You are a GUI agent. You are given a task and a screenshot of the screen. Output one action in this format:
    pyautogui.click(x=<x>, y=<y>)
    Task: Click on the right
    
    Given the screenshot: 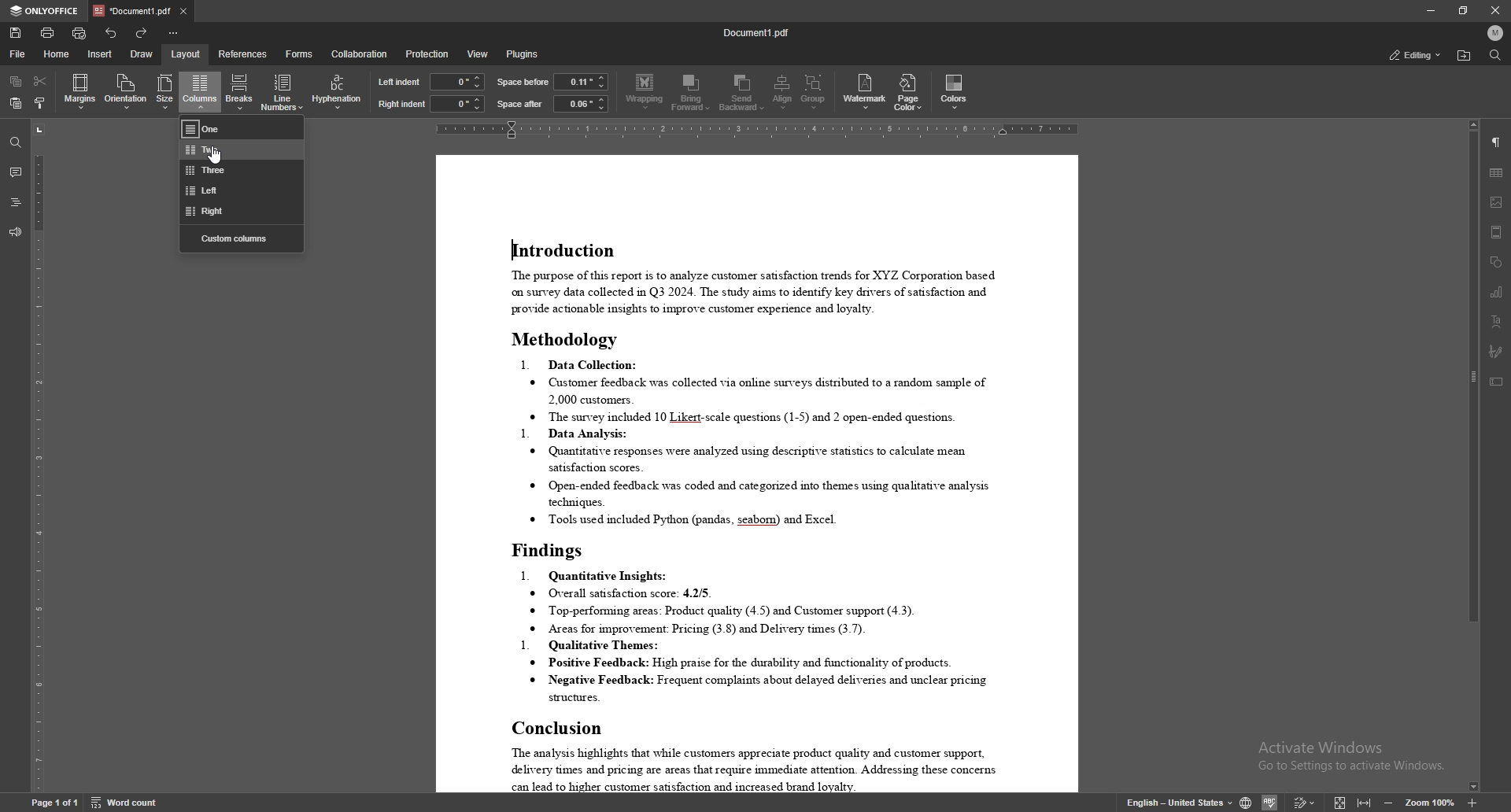 What is the action you would take?
    pyautogui.click(x=238, y=212)
    